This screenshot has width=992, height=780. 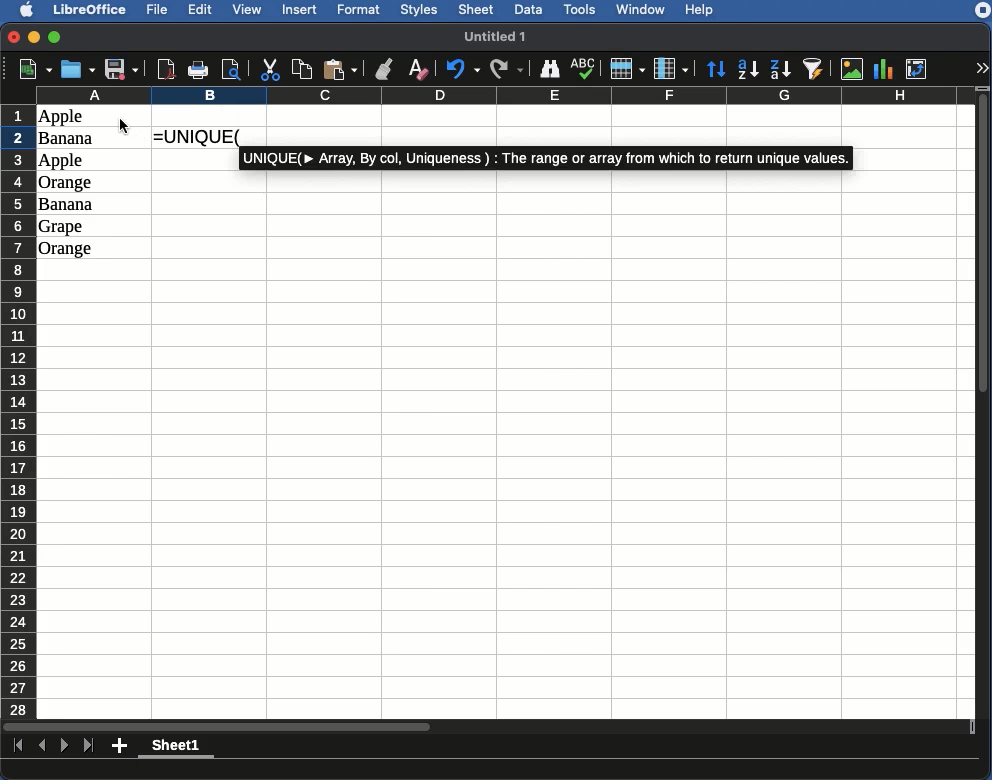 What do you see at coordinates (546, 158) in the screenshot?
I see `UNIQUE(Array, By col, Uniqueness) : the range or array from which to return unique values.` at bounding box center [546, 158].